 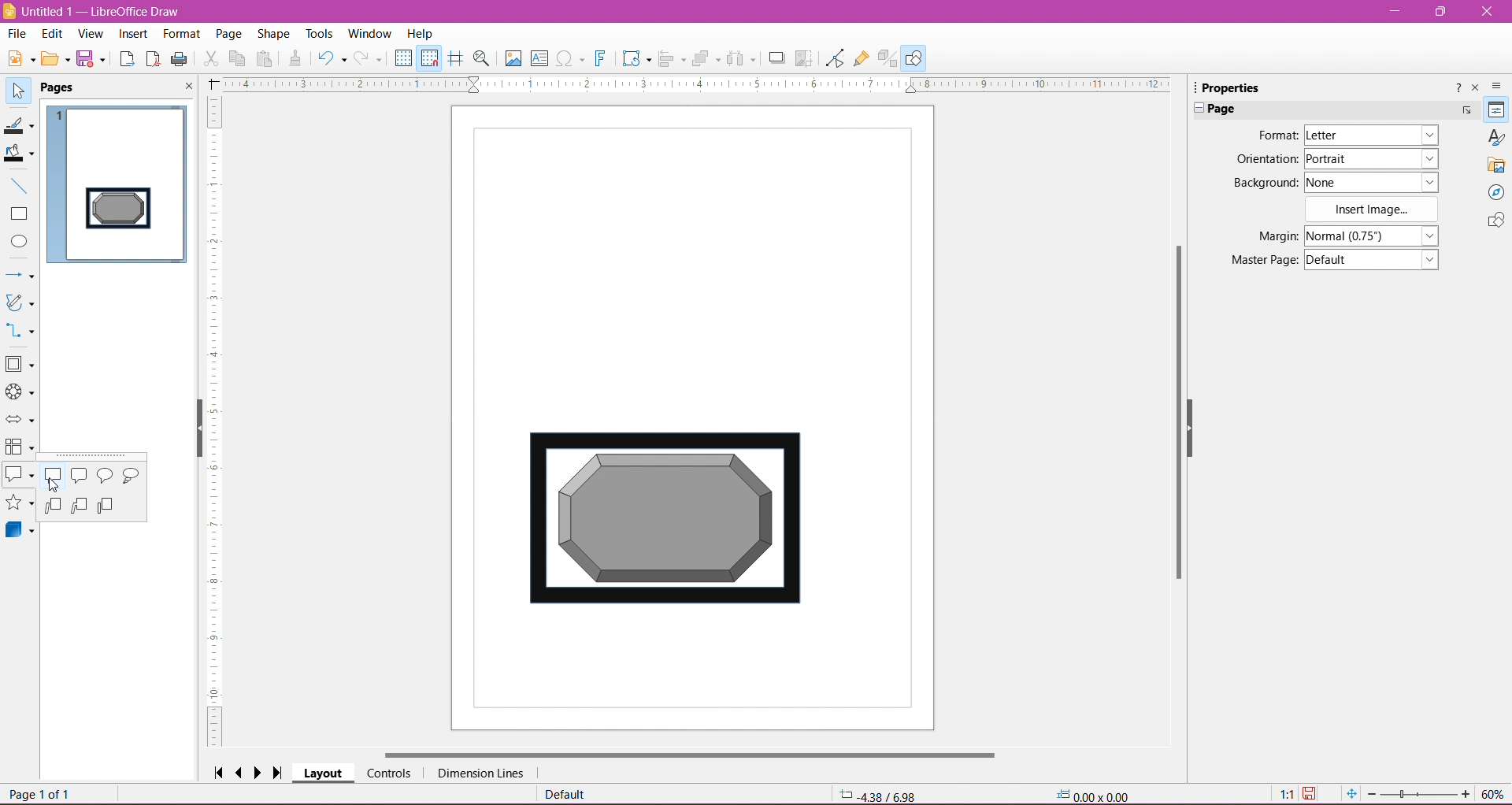 What do you see at coordinates (20, 532) in the screenshot?
I see `3D Objects` at bounding box center [20, 532].